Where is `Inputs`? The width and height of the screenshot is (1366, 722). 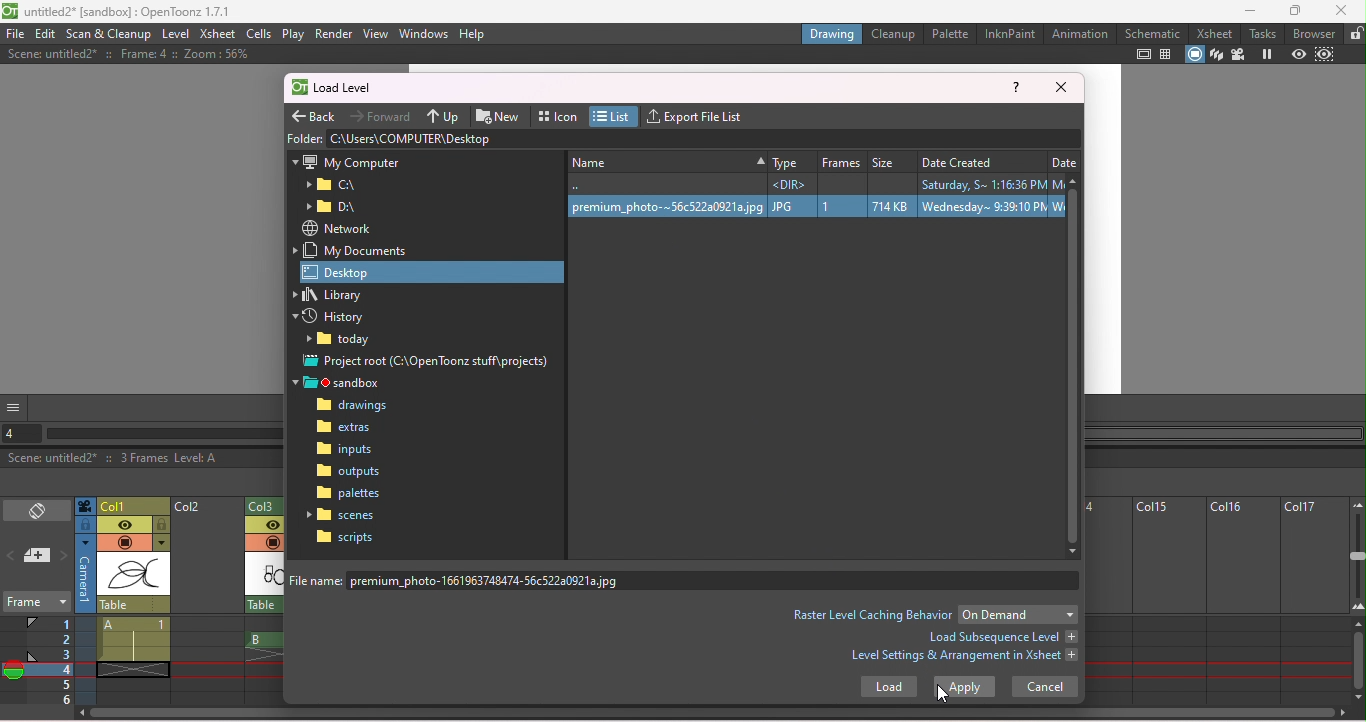 Inputs is located at coordinates (348, 451).